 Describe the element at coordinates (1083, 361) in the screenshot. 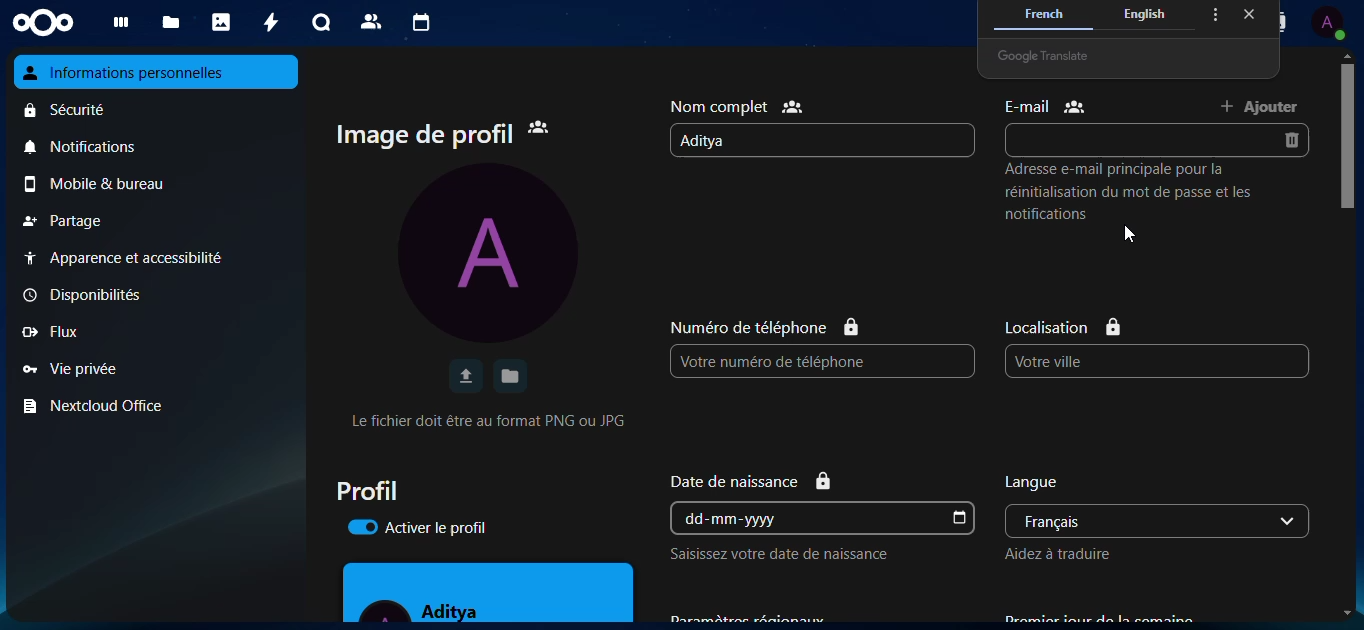

I see `votre ville` at that location.